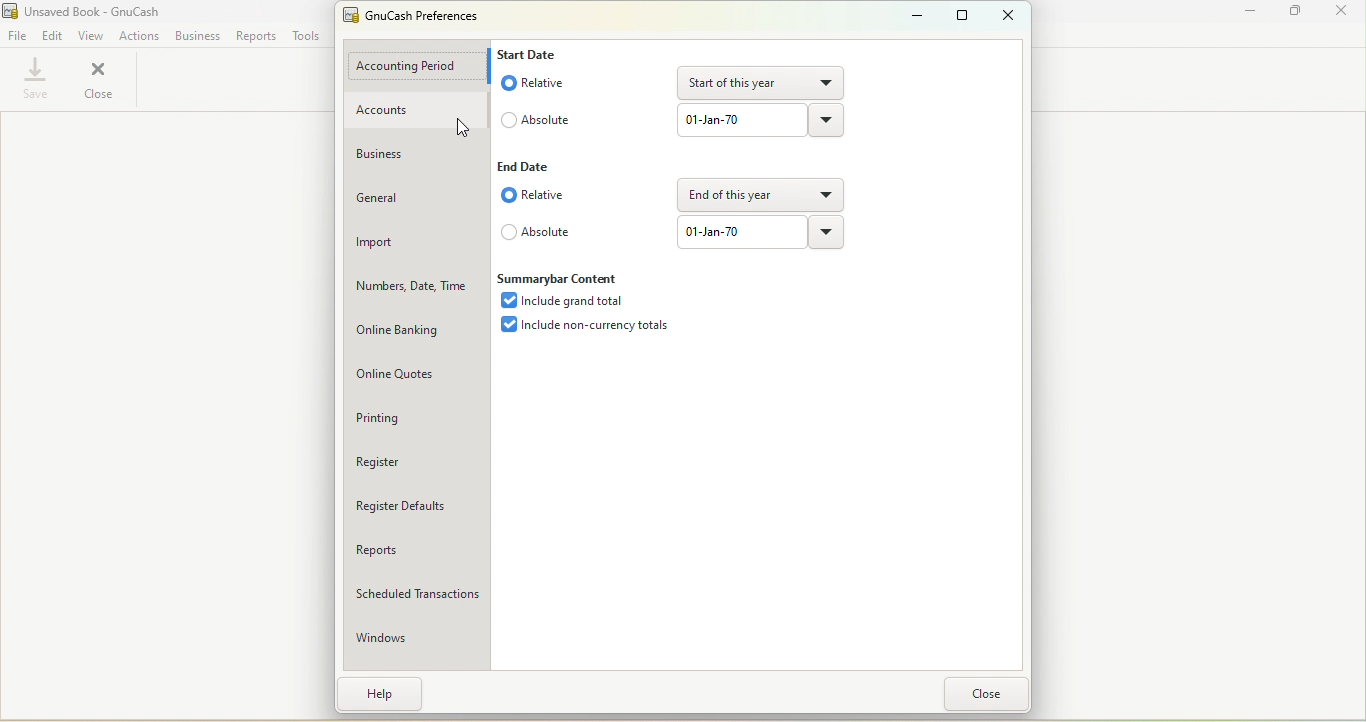 The width and height of the screenshot is (1366, 722). Describe the element at coordinates (415, 633) in the screenshot. I see `Windows` at that location.